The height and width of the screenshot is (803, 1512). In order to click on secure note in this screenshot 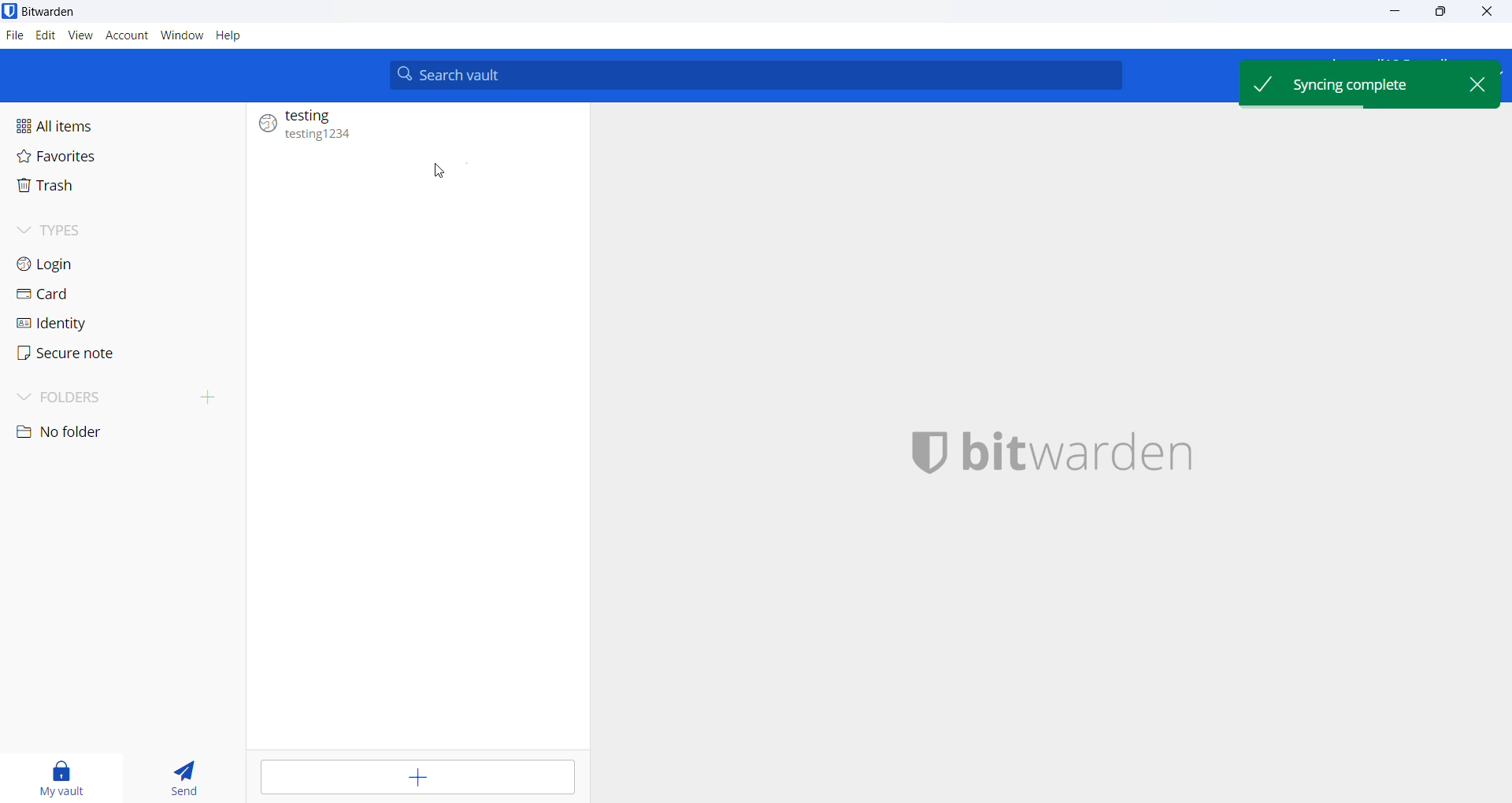, I will do `click(92, 355)`.